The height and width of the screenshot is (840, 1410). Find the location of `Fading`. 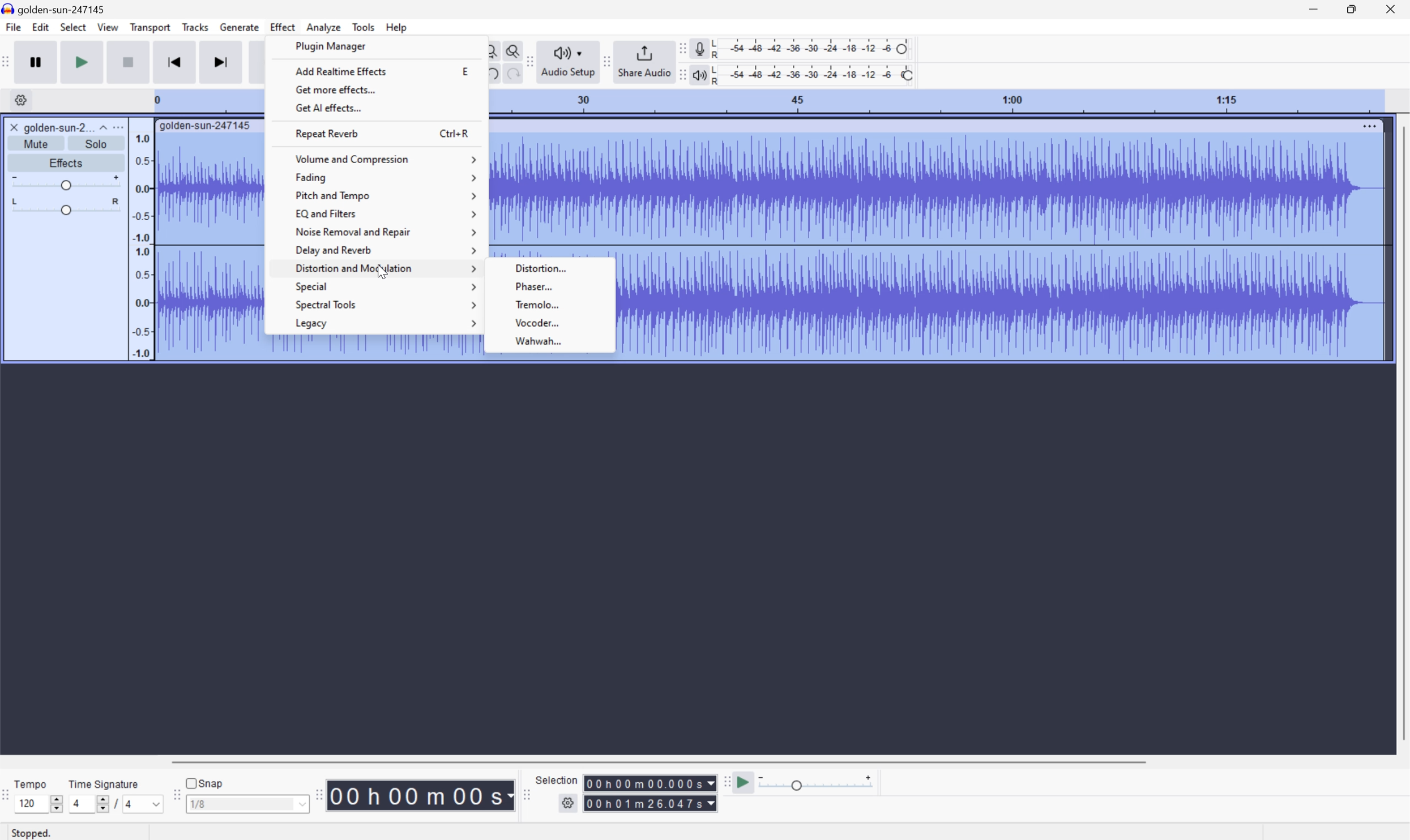

Fading is located at coordinates (385, 177).